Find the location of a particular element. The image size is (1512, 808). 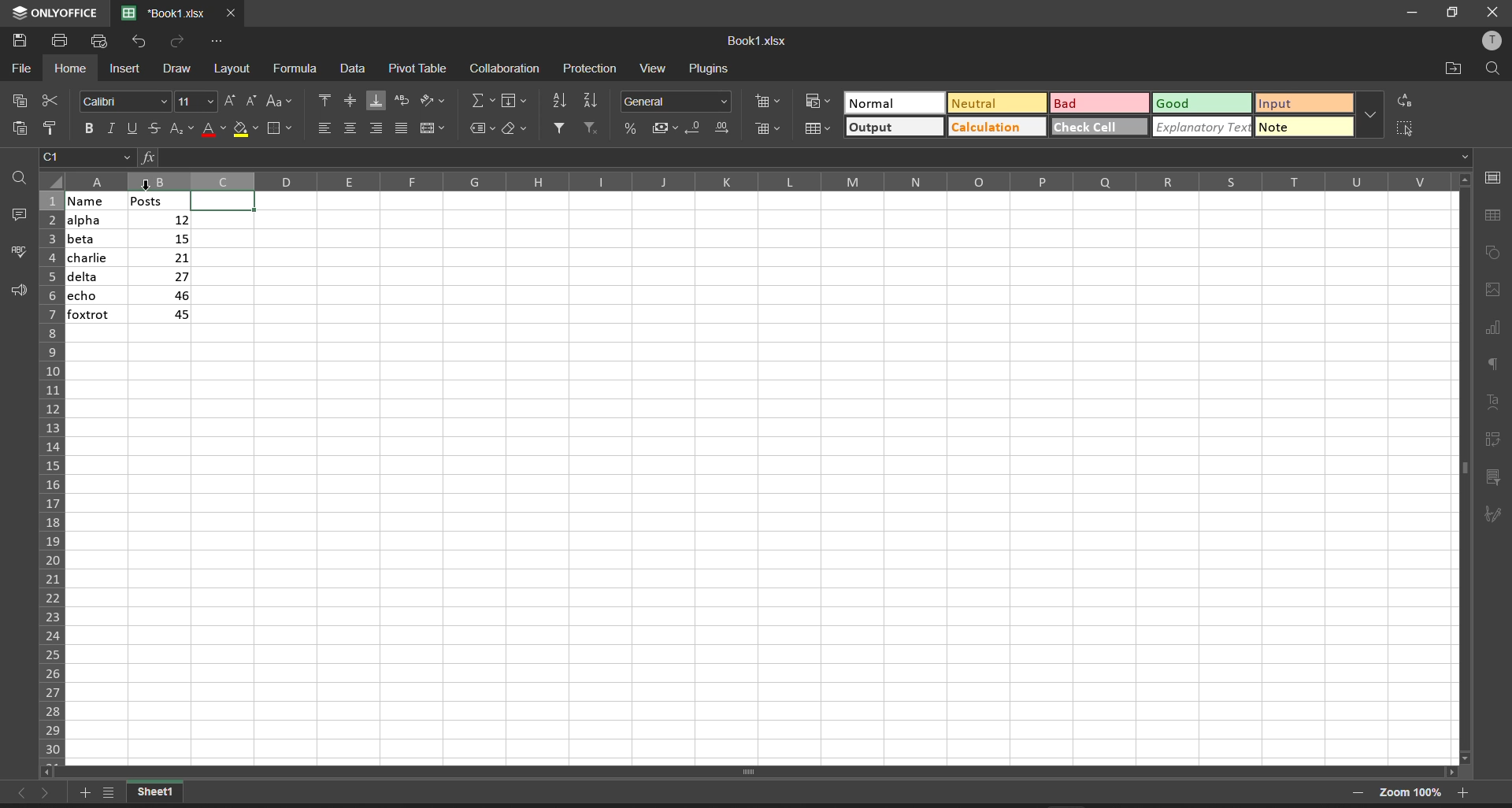

user profile is located at coordinates (1494, 42).